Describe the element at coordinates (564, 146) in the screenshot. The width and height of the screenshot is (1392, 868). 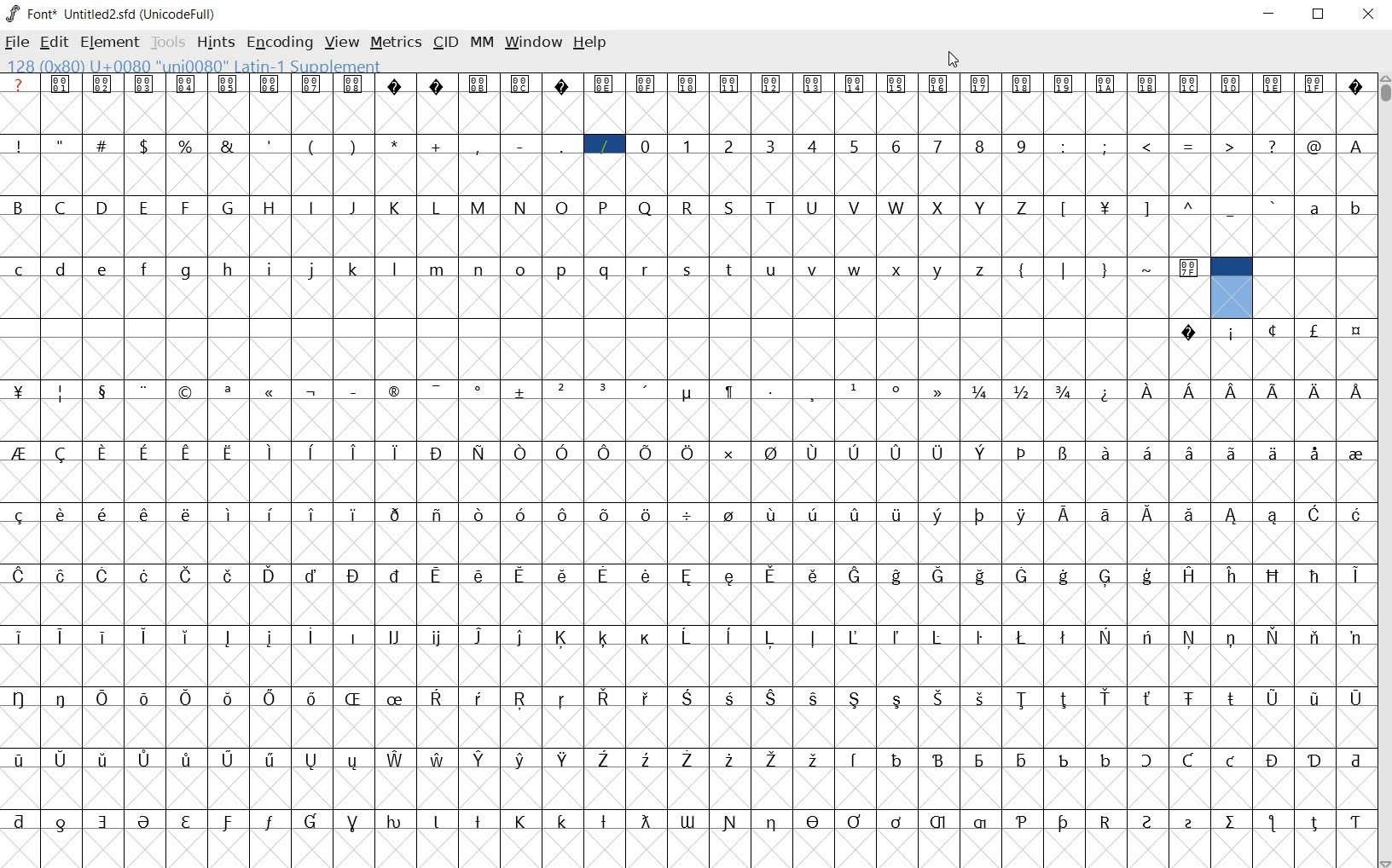
I see `_` at that location.